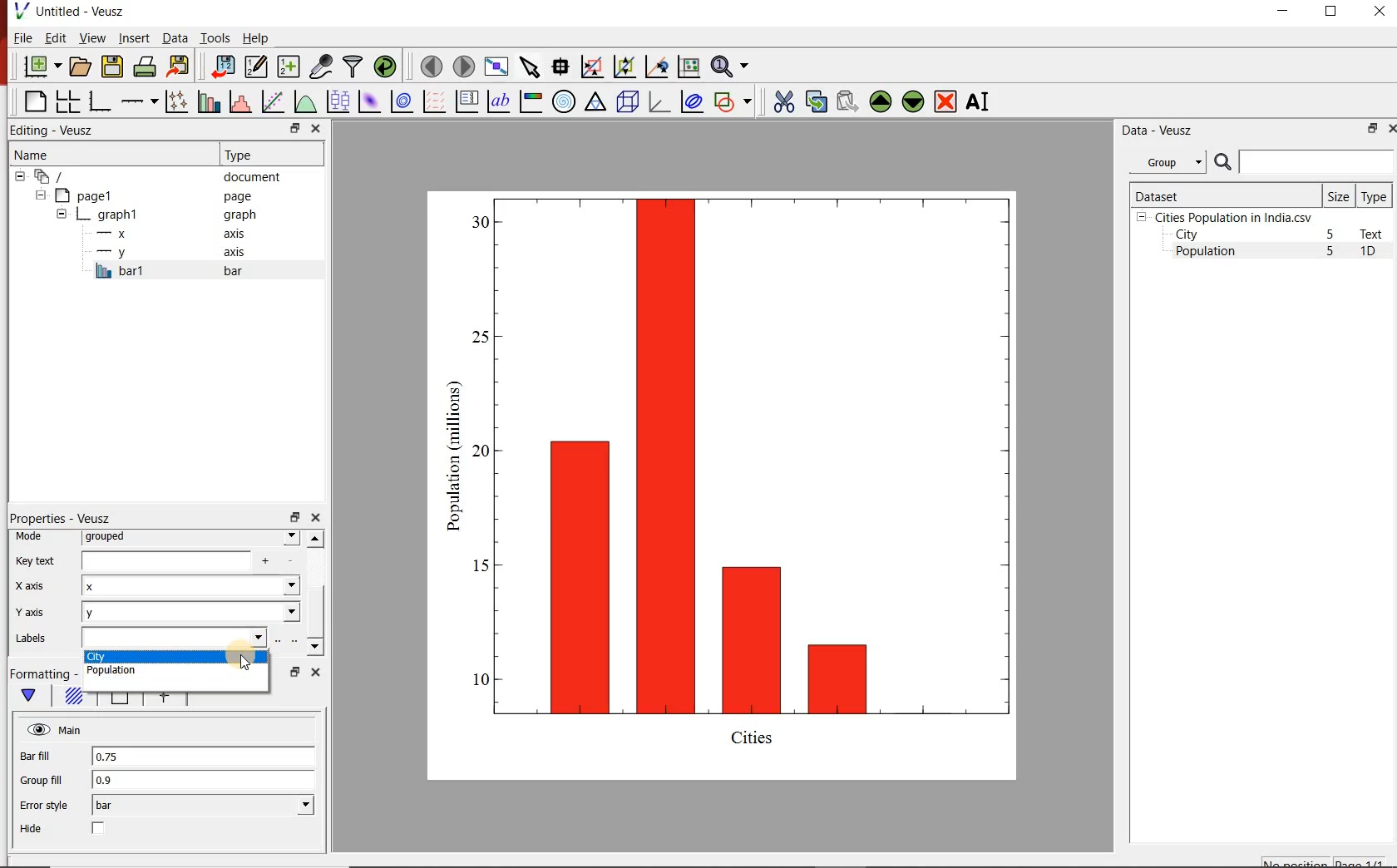 The image size is (1397, 868). What do you see at coordinates (743, 481) in the screenshot?
I see `graph1` at bounding box center [743, 481].